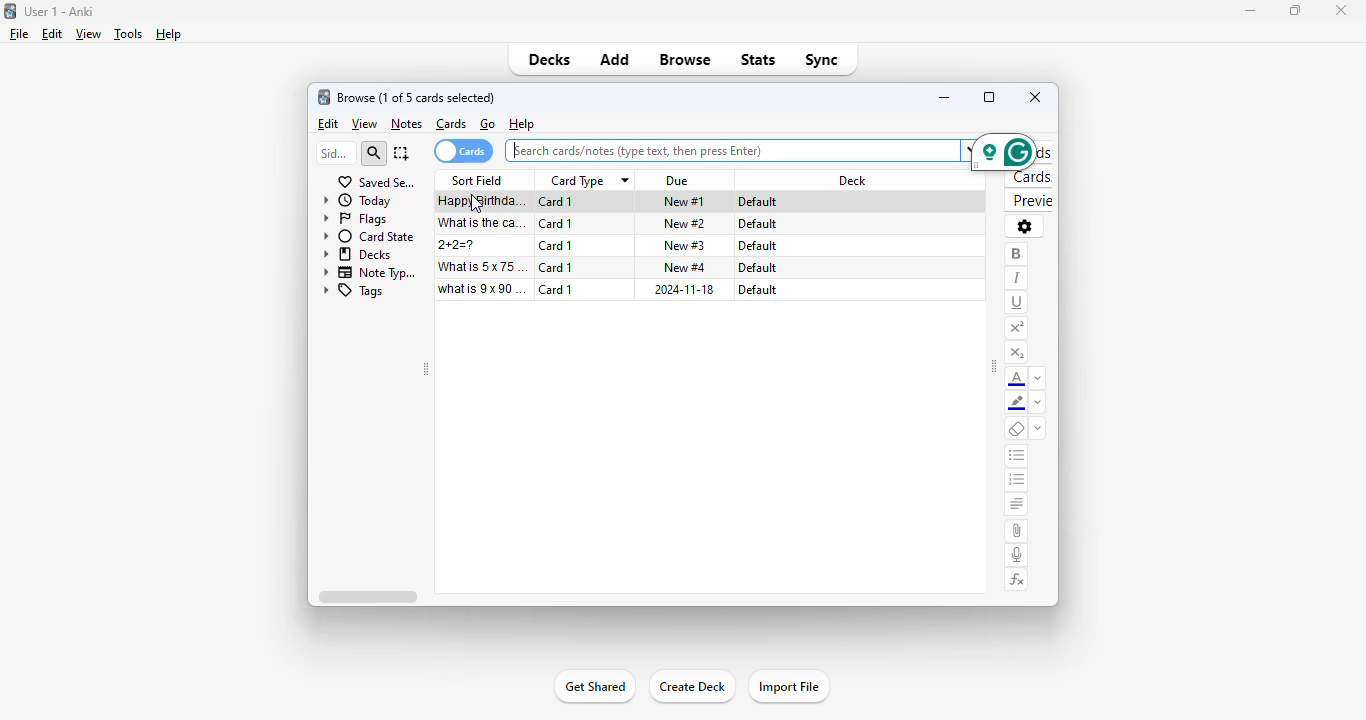  I want to click on deck, so click(853, 180).